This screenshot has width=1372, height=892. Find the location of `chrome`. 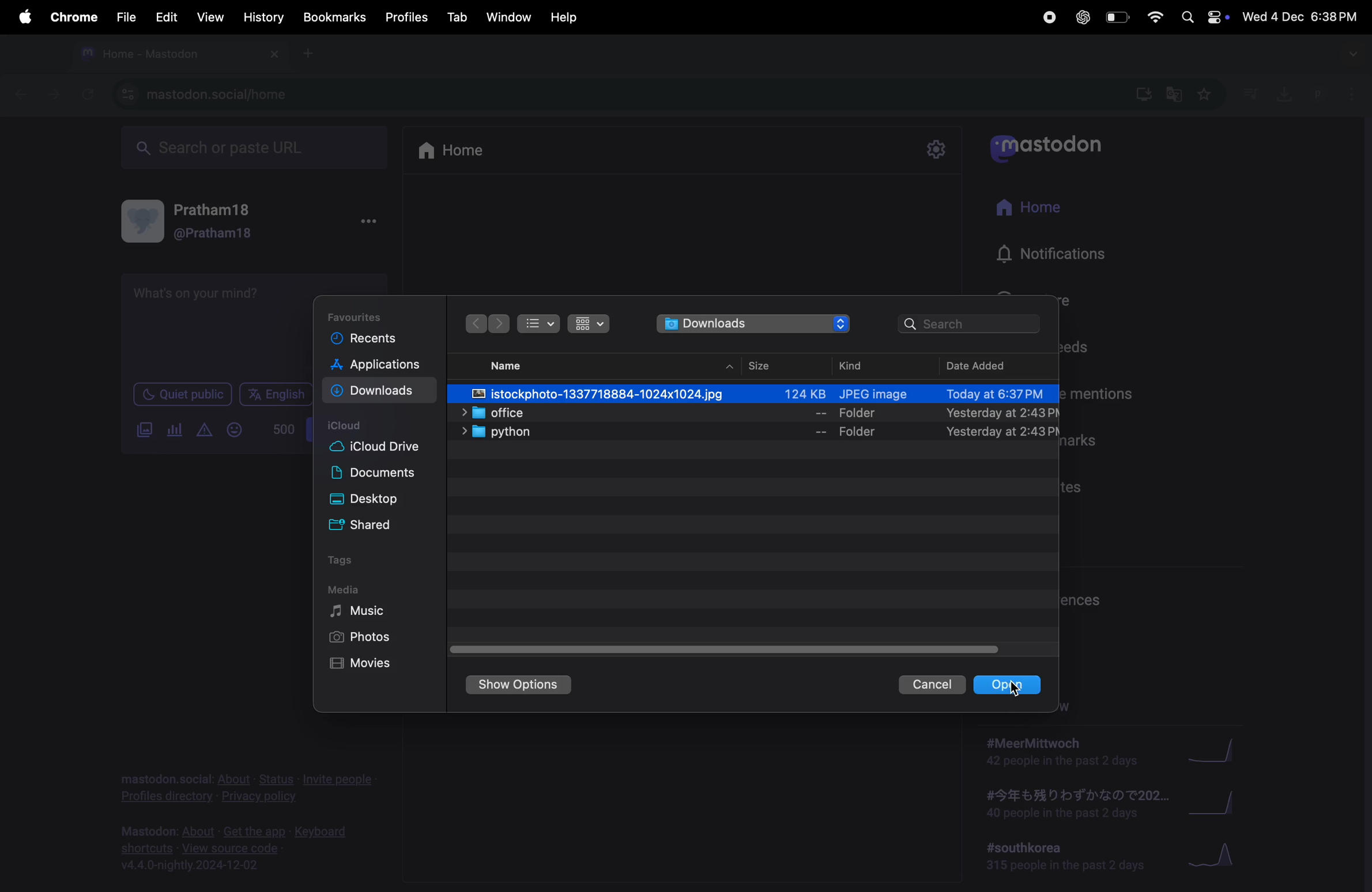

chrome is located at coordinates (71, 19).